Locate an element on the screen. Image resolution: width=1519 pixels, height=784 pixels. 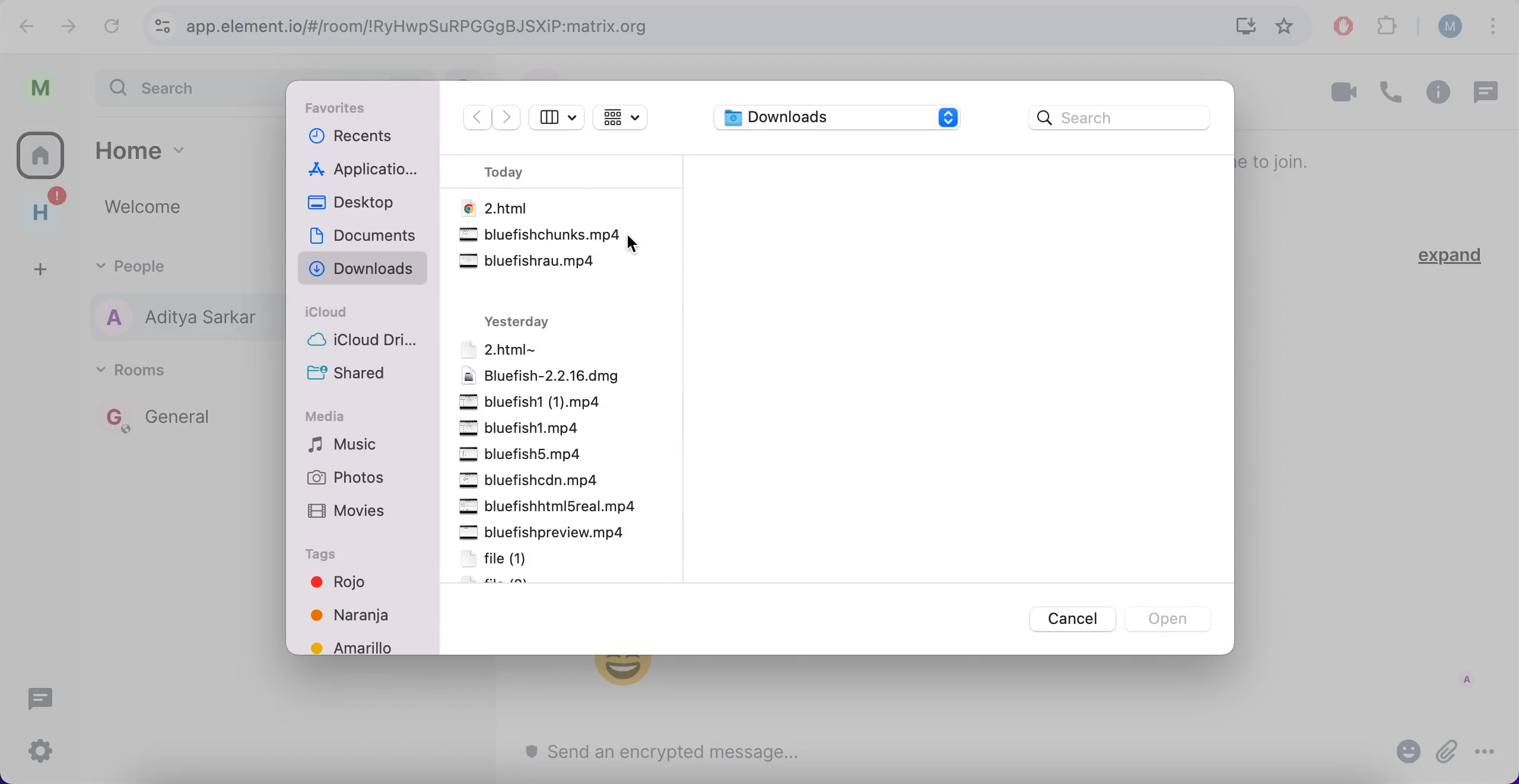
file is located at coordinates (493, 559).